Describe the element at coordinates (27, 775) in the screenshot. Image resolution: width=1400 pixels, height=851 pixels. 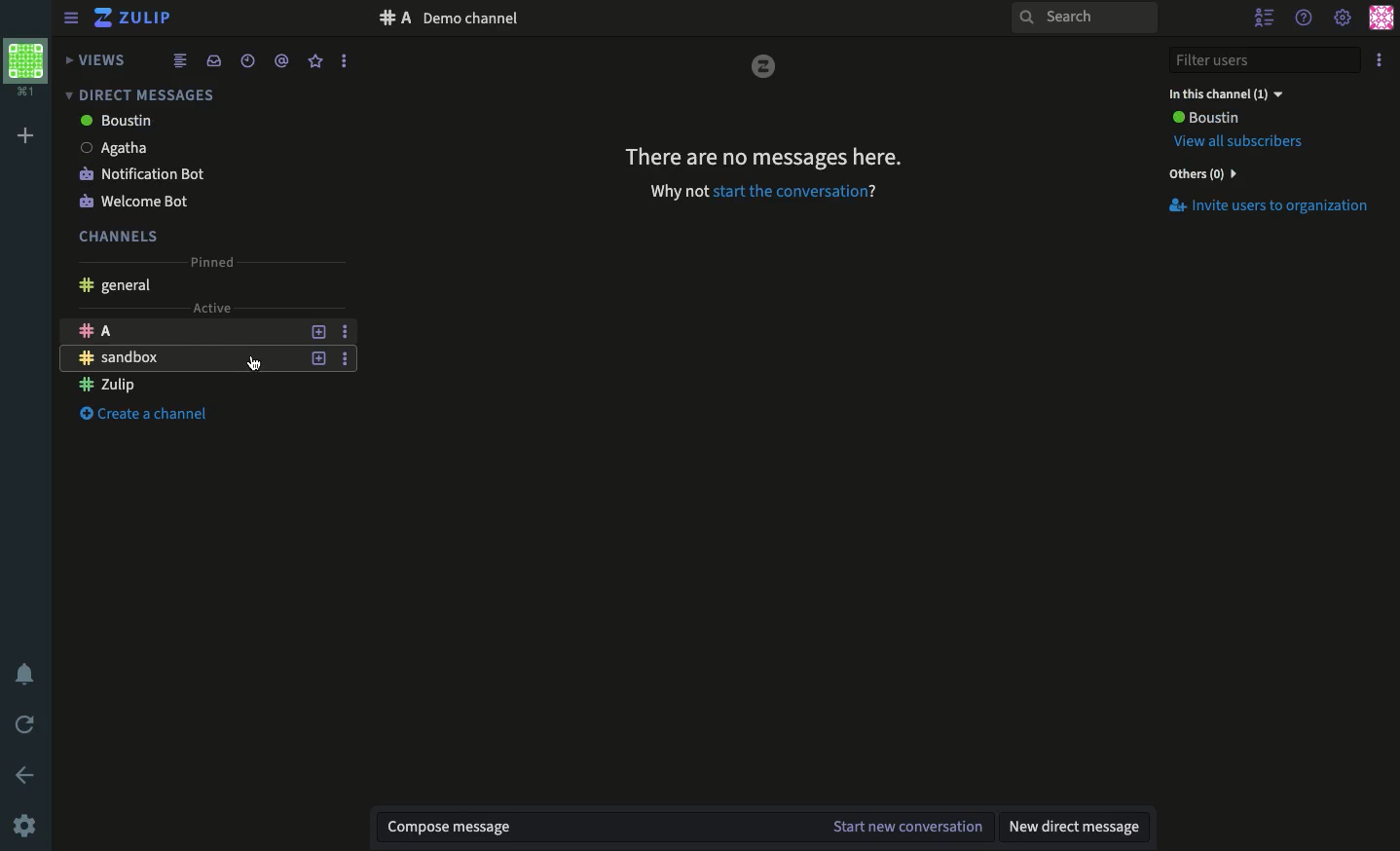
I see `Back` at that location.